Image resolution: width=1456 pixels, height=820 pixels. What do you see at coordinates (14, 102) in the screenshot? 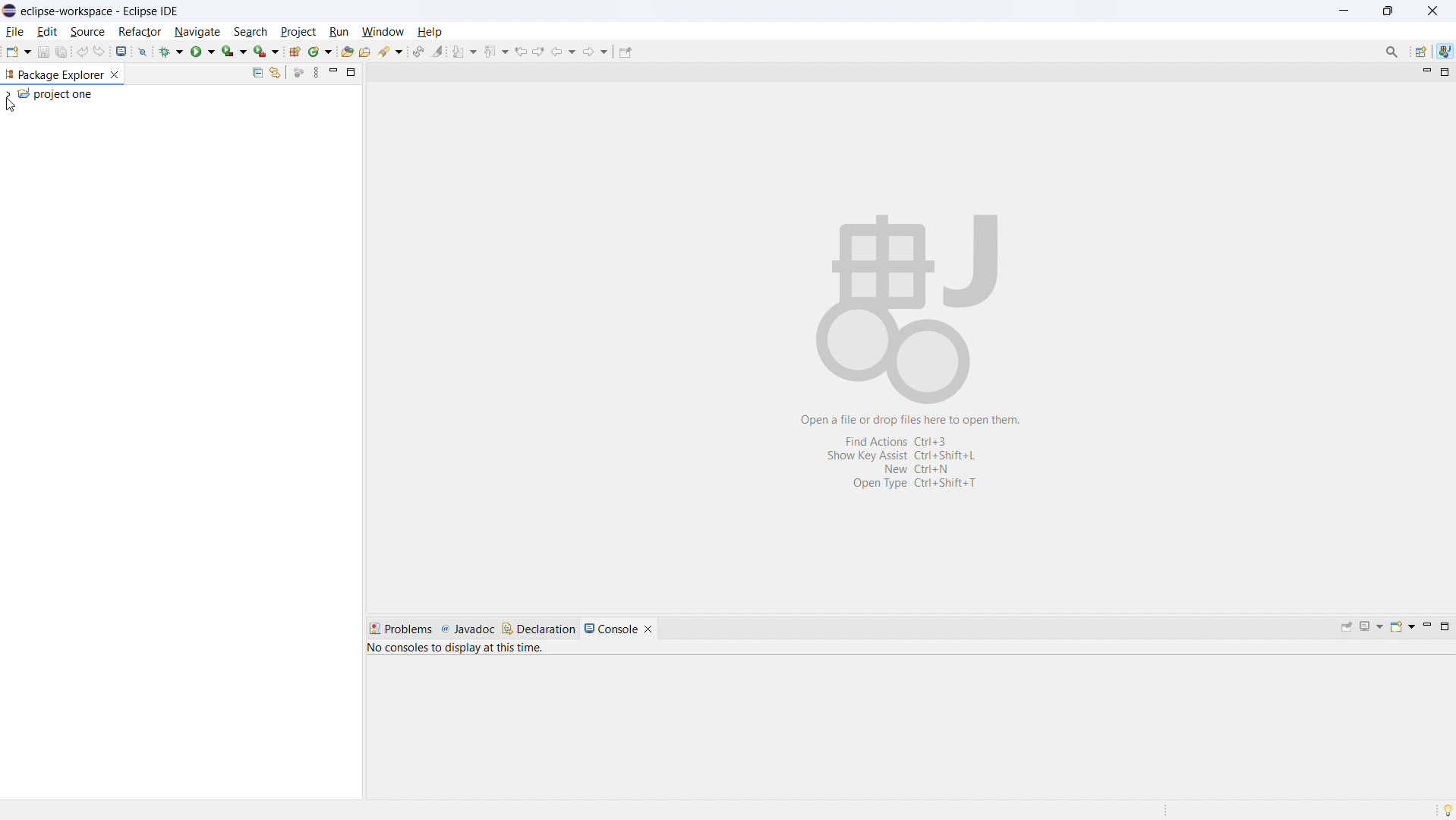
I see `Cursor` at bounding box center [14, 102].